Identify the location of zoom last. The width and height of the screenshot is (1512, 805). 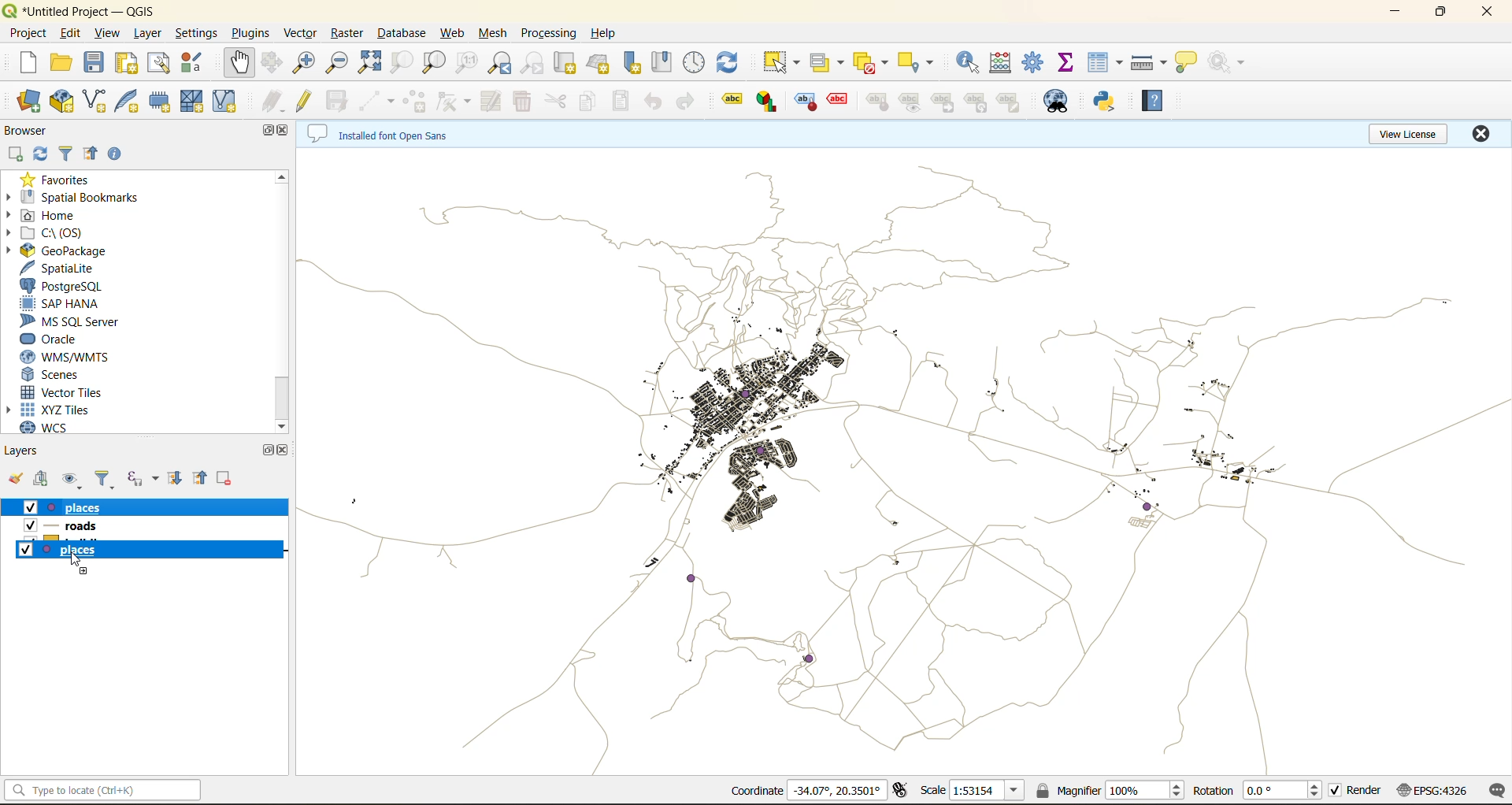
(506, 63).